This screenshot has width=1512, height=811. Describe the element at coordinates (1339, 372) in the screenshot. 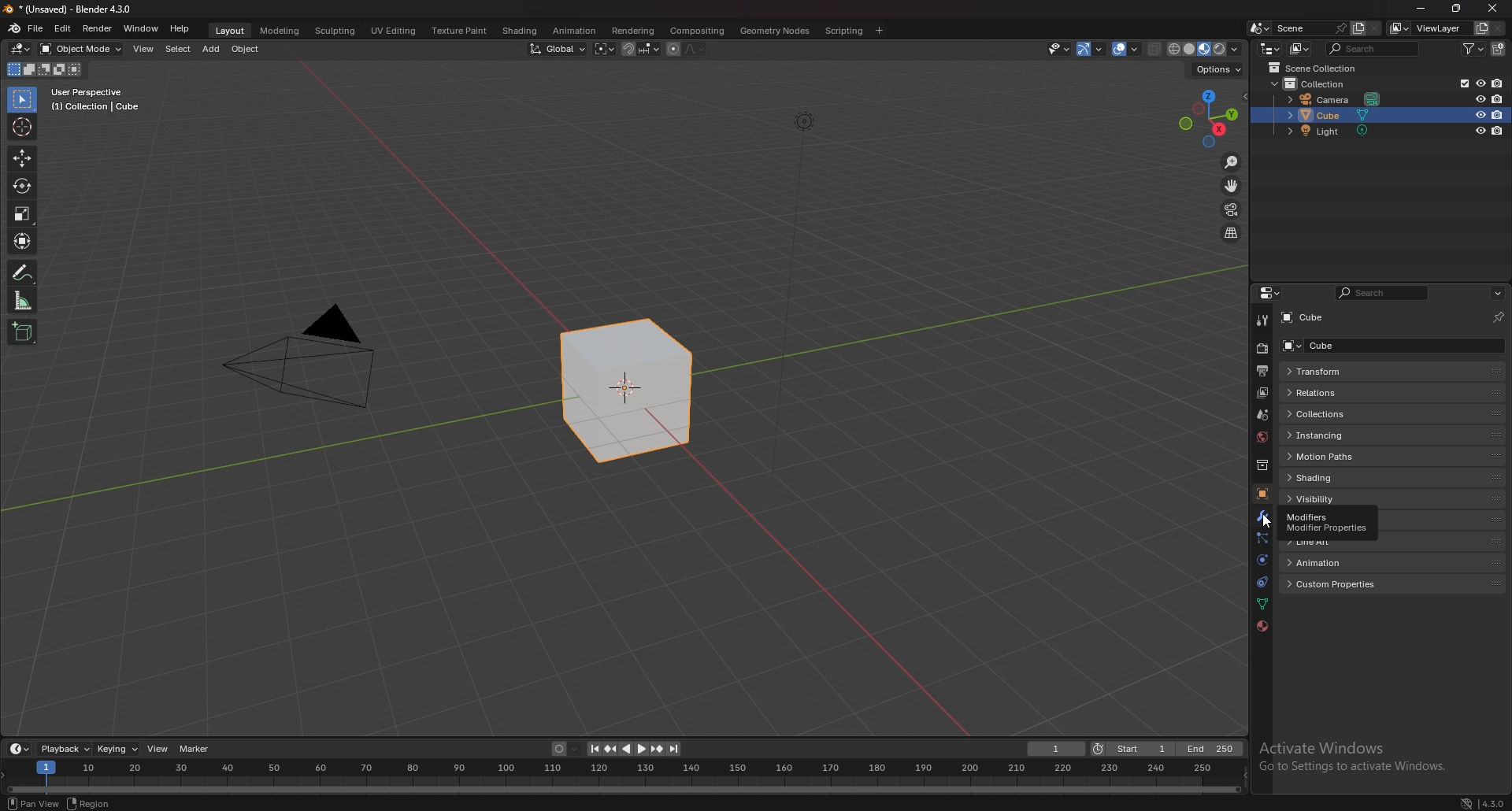

I see `transform` at that location.